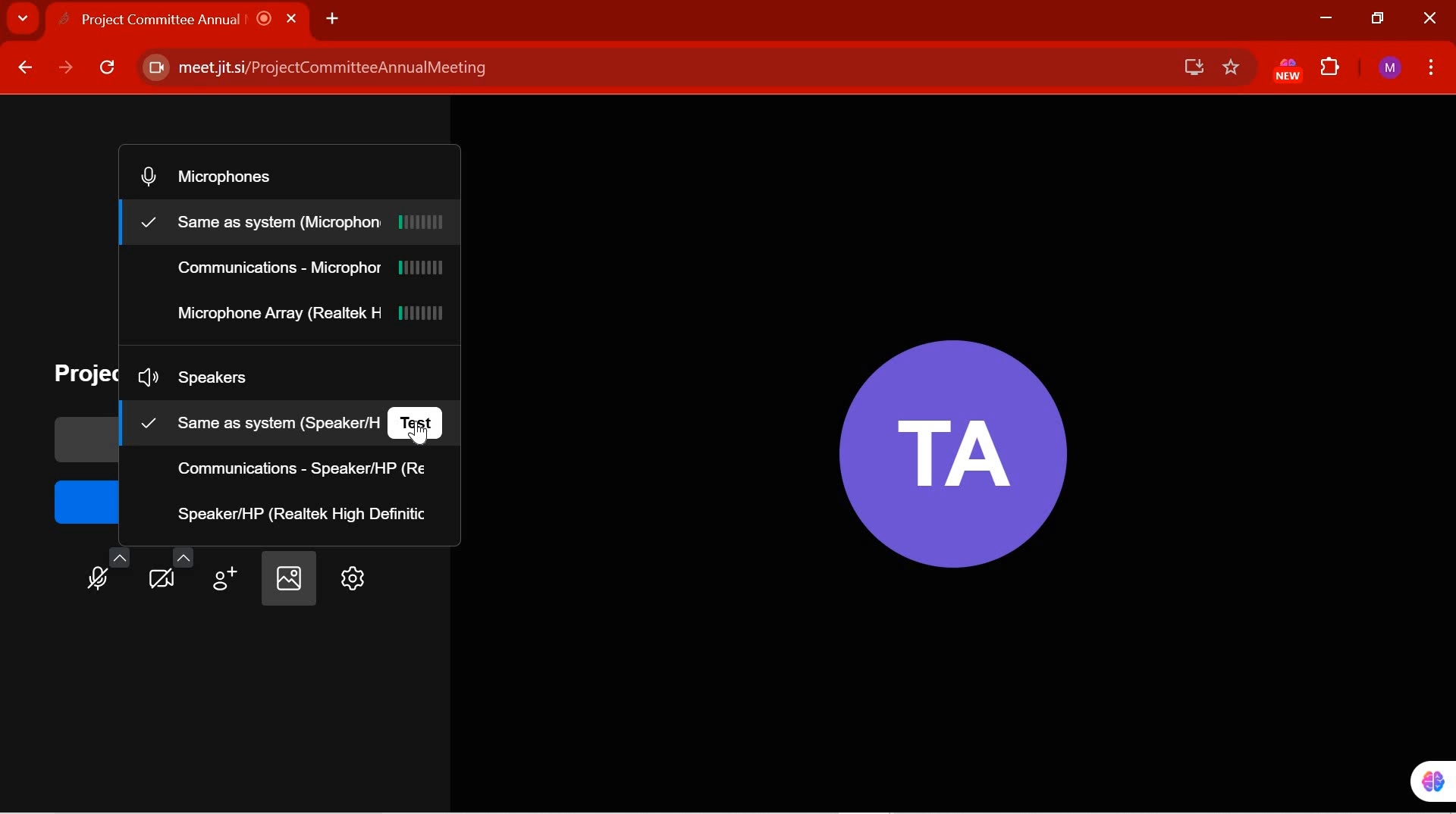  I want to click on FORWARD, so click(66, 68).